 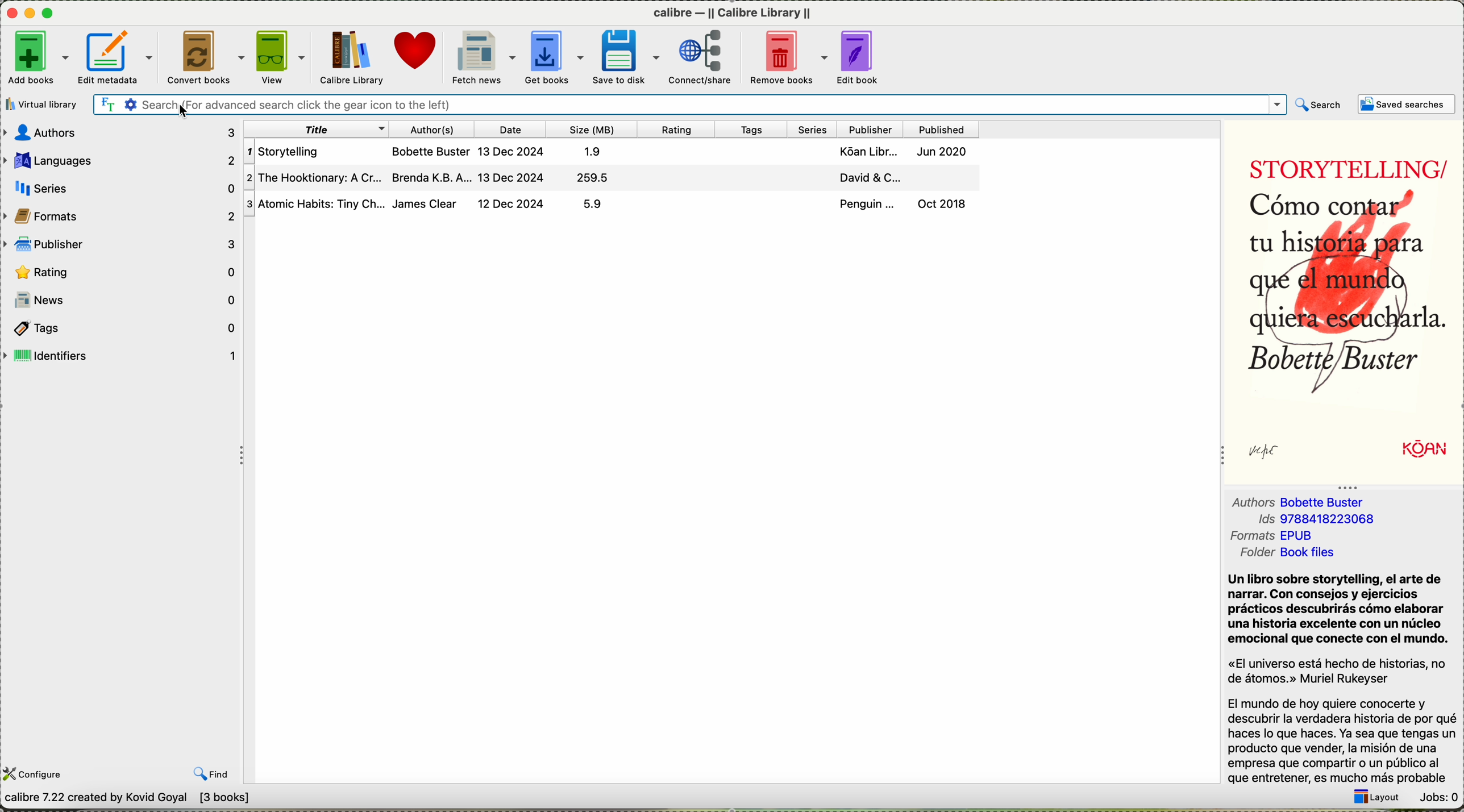 I want to click on date, so click(x=516, y=128).